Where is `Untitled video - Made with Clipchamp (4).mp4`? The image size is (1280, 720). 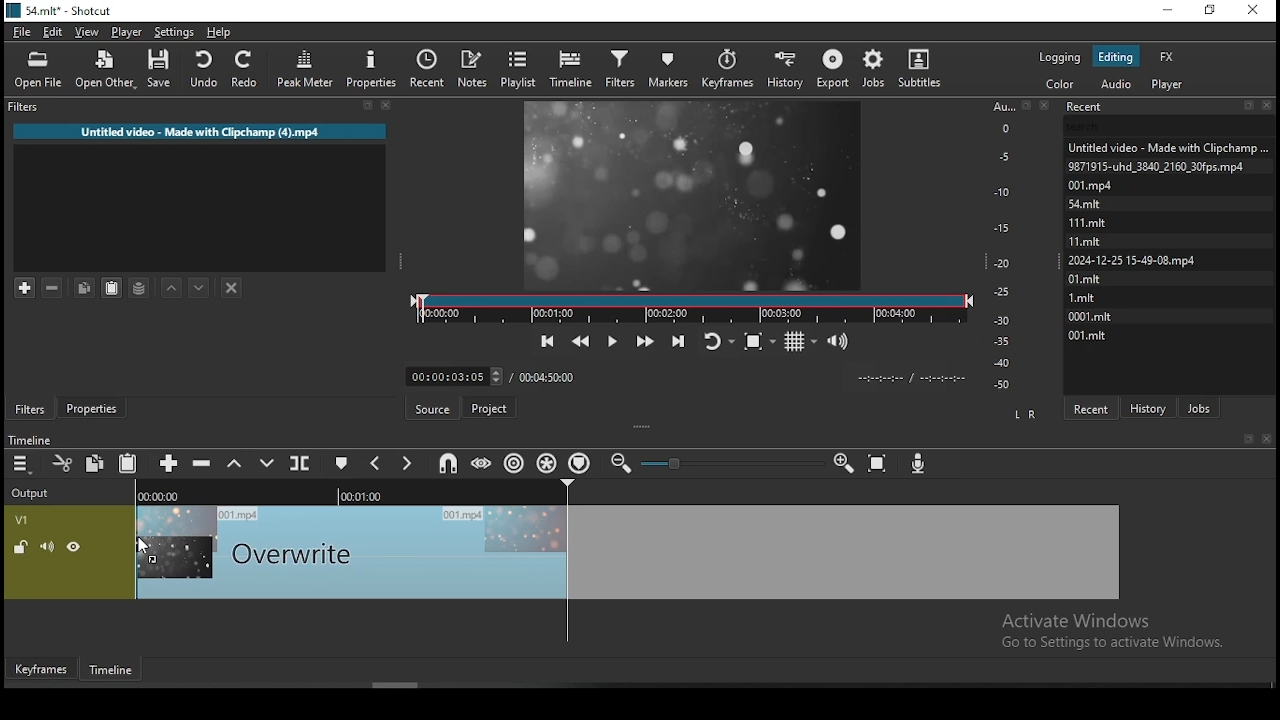 Untitled video - Made with Clipchamp (4).mp4 is located at coordinates (203, 129).